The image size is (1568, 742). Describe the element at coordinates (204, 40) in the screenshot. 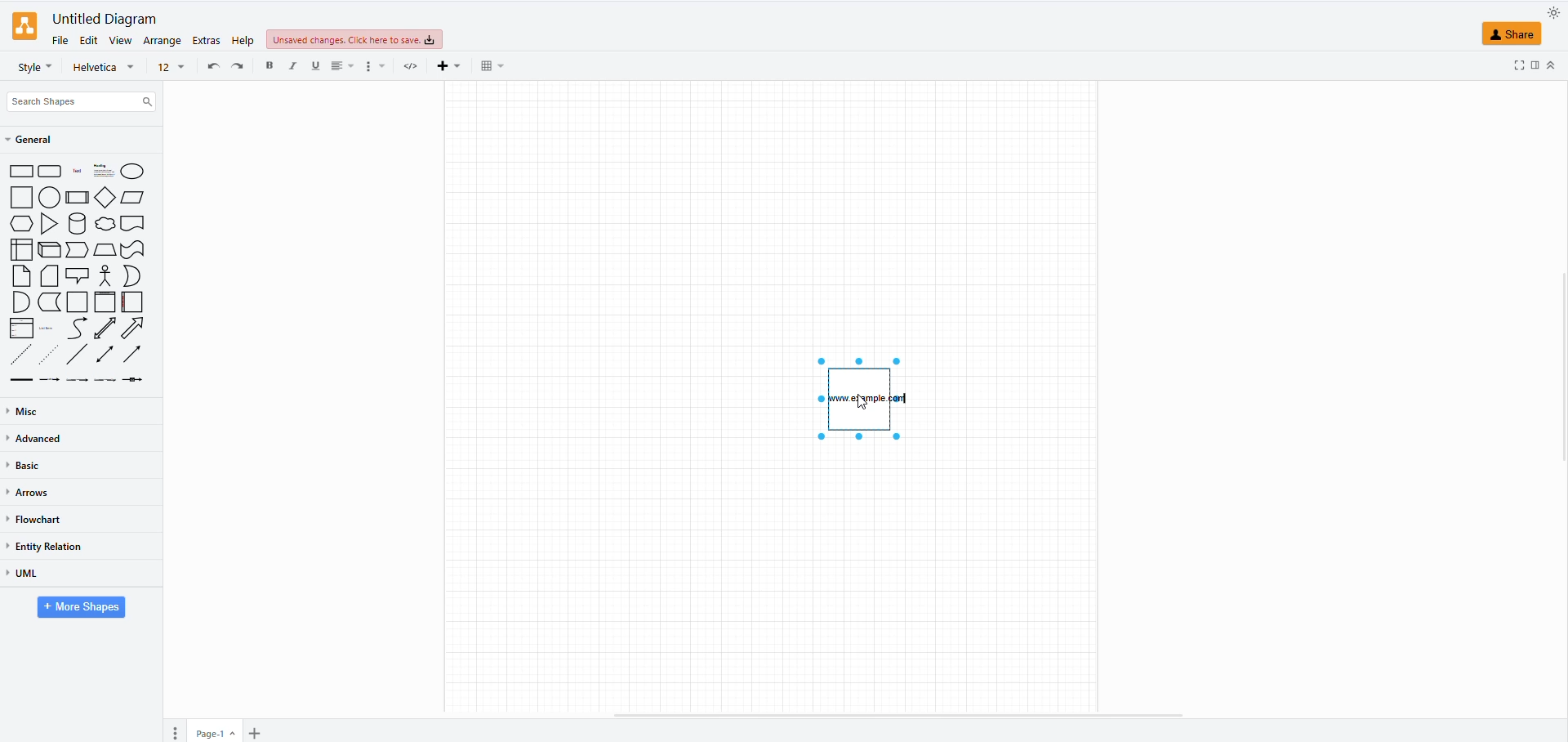

I see `extras` at that location.